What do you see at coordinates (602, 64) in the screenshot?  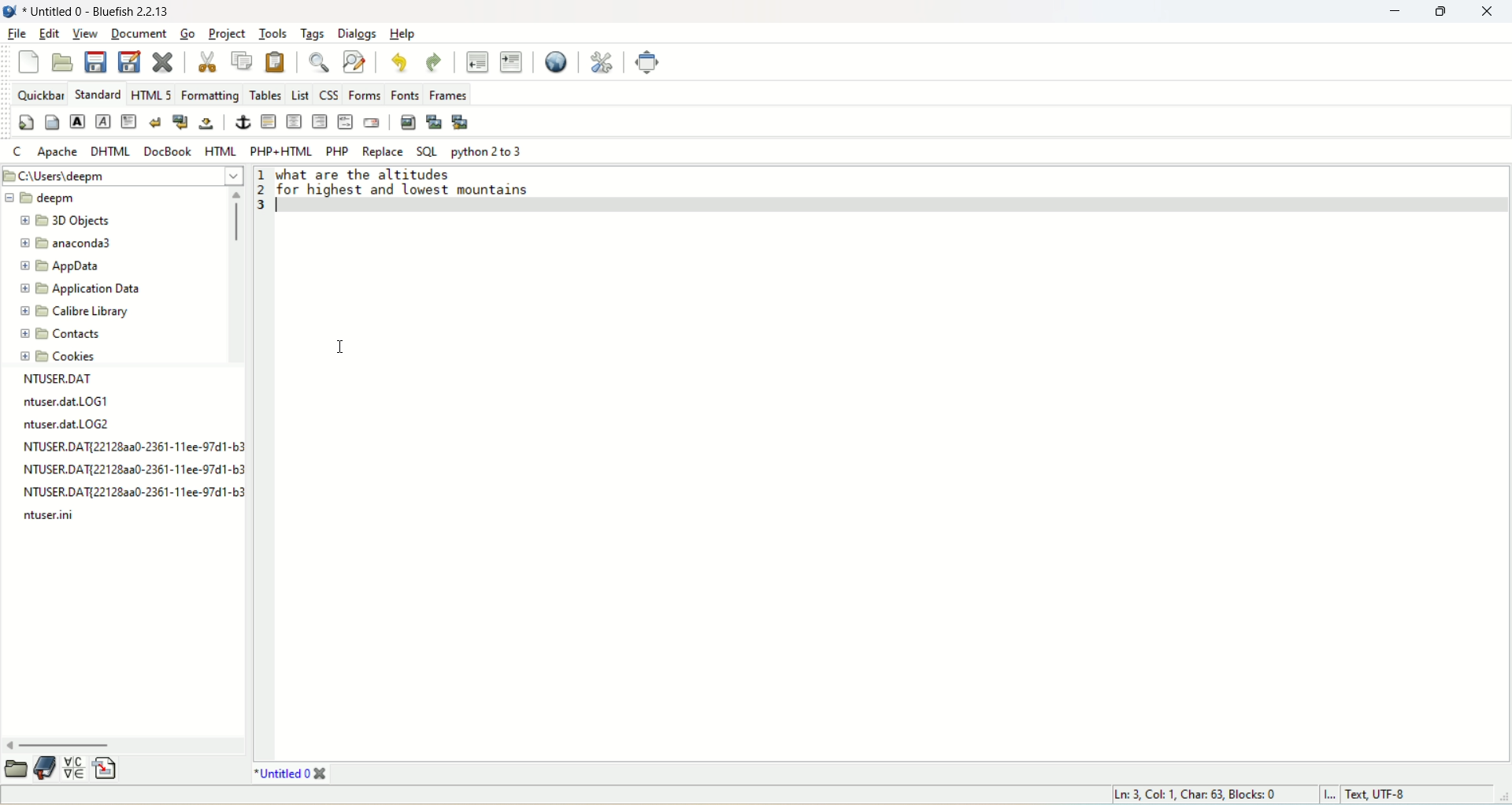 I see `edit preferences` at bounding box center [602, 64].